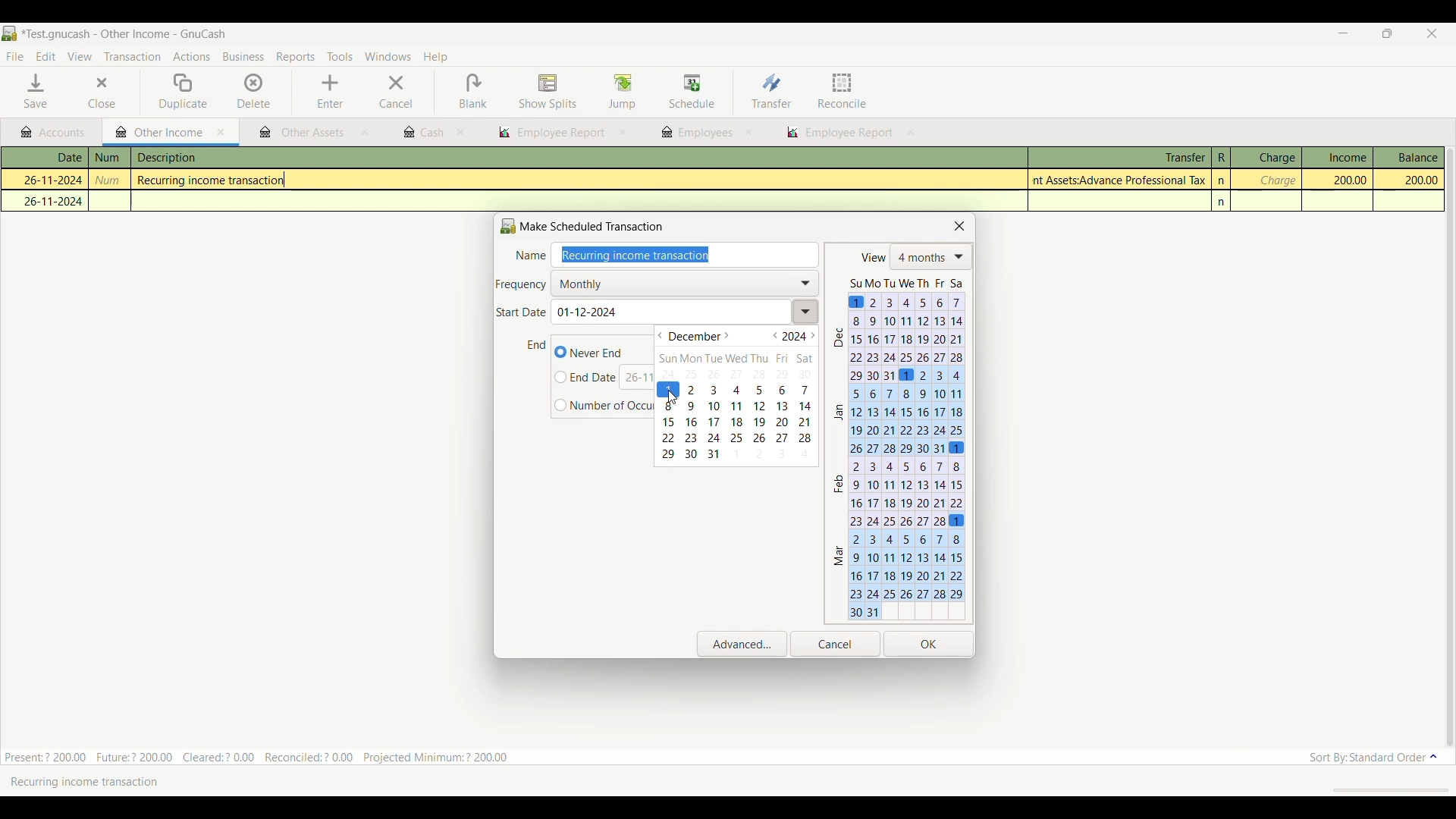 The height and width of the screenshot is (819, 1456). Describe the element at coordinates (254, 90) in the screenshot. I see `Delete` at that location.